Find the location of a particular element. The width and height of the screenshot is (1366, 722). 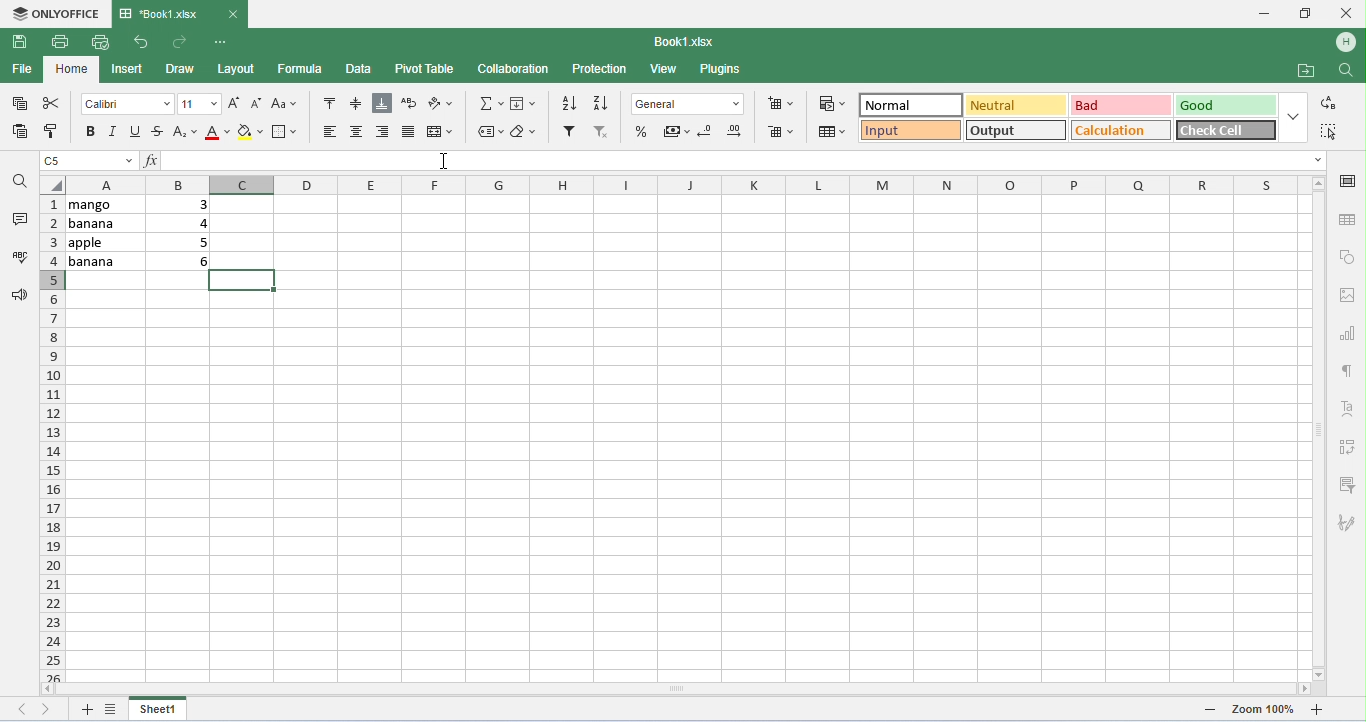

print is located at coordinates (59, 42).